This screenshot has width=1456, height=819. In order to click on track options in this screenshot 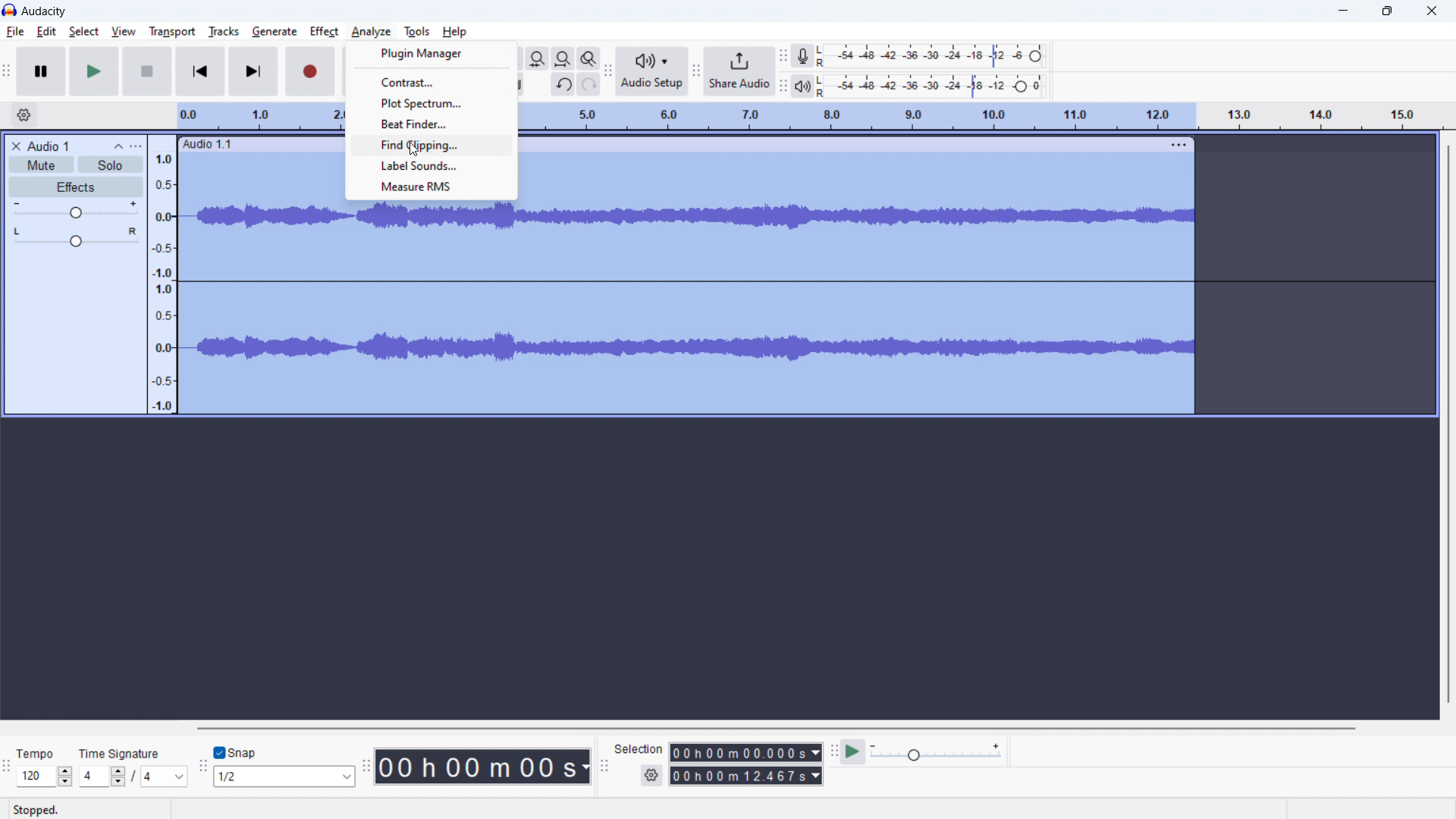, I will do `click(1178, 142)`.